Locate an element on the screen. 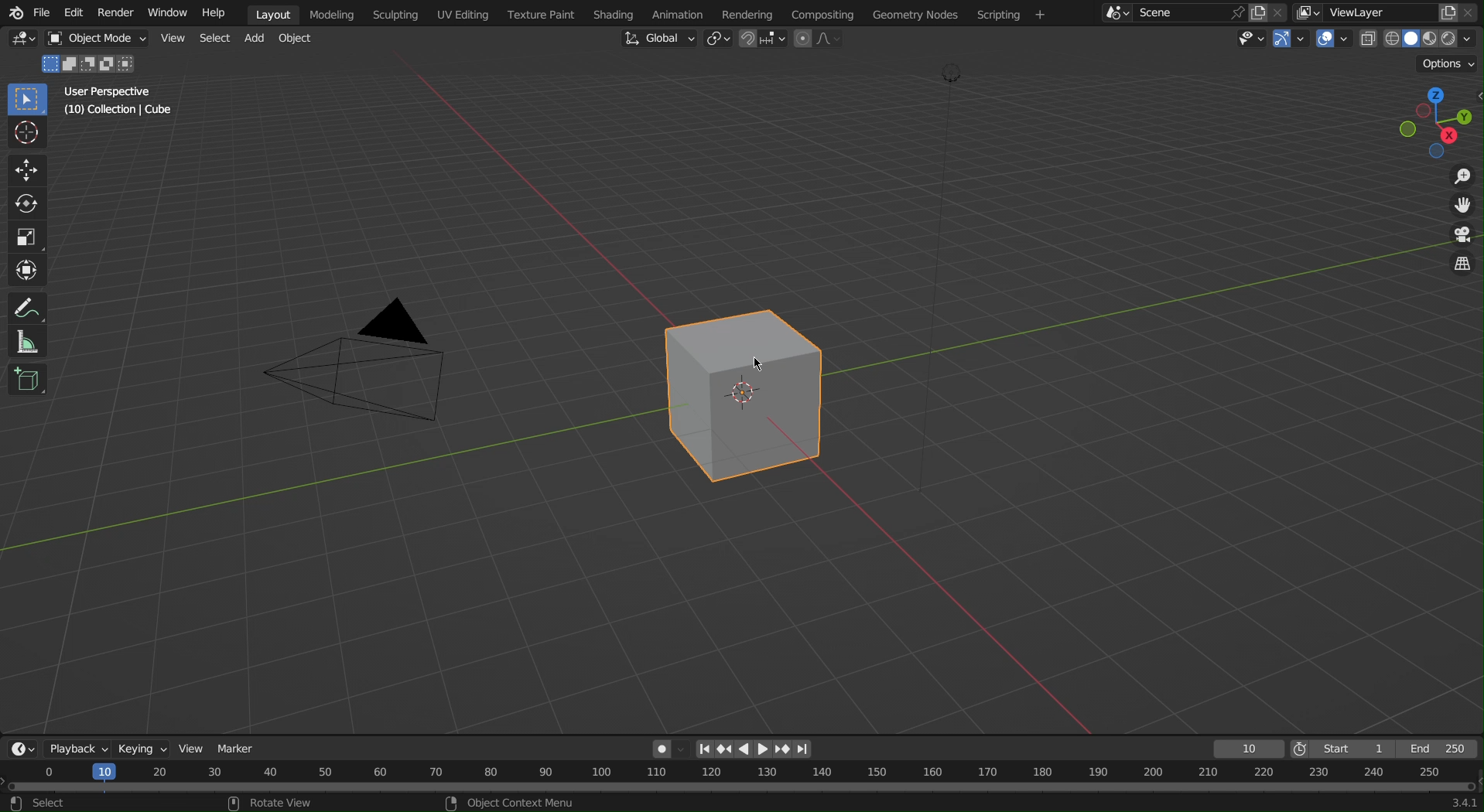  Playback is located at coordinates (74, 749).